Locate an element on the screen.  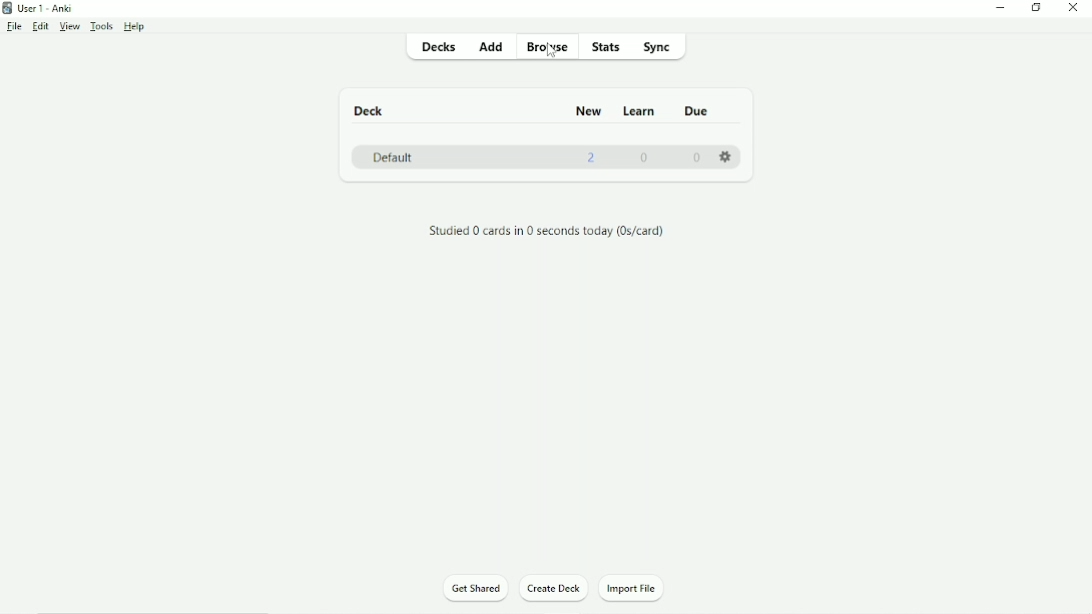
File is located at coordinates (14, 27).